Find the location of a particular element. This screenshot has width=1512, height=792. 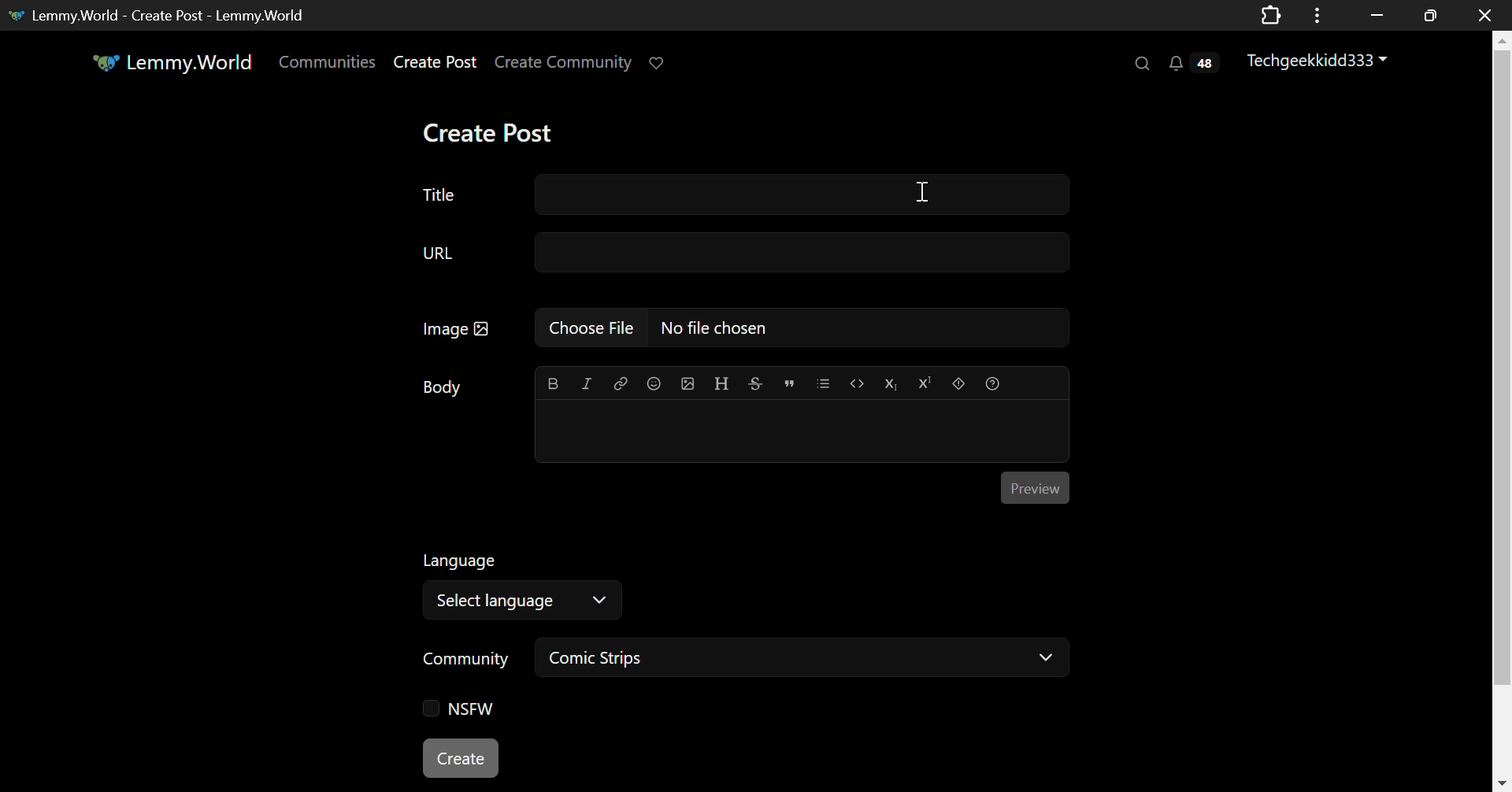

Lemmy.World- Create Post -Lemmy.World is located at coordinates (162, 13).